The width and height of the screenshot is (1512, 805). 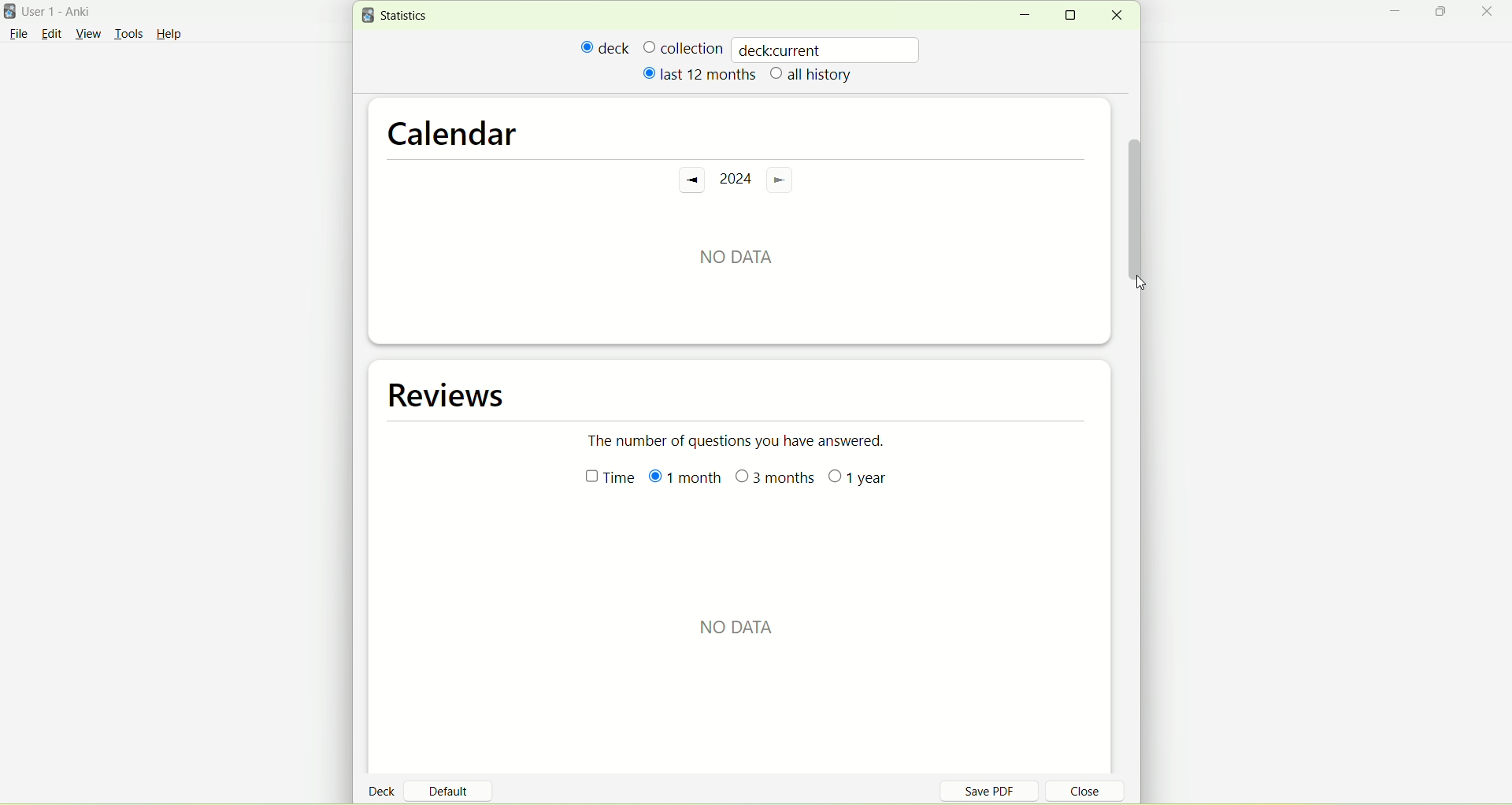 I want to click on 3 months, so click(x=776, y=480).